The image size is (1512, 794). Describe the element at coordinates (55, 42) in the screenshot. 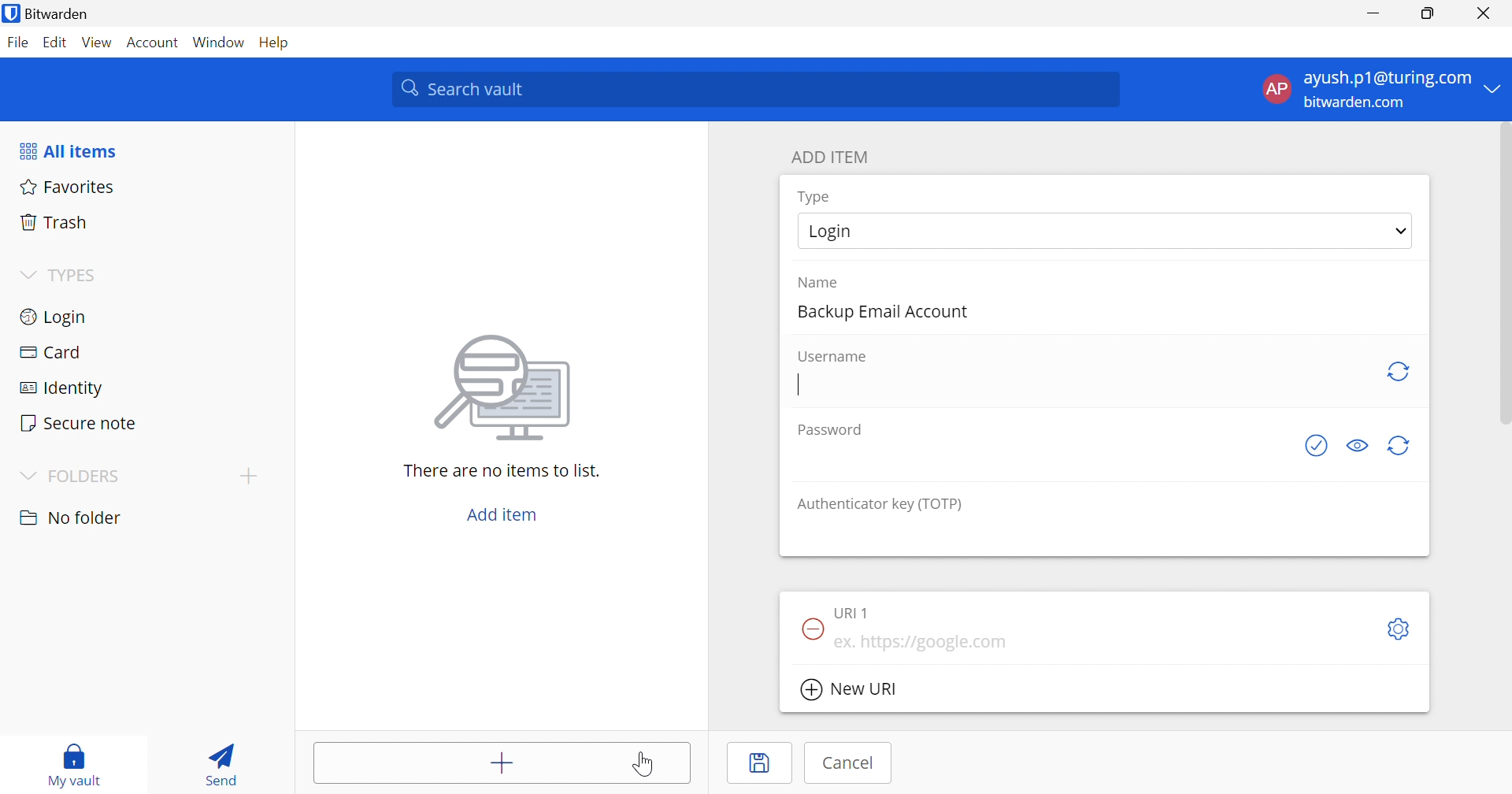

I see `Edit` at that location.